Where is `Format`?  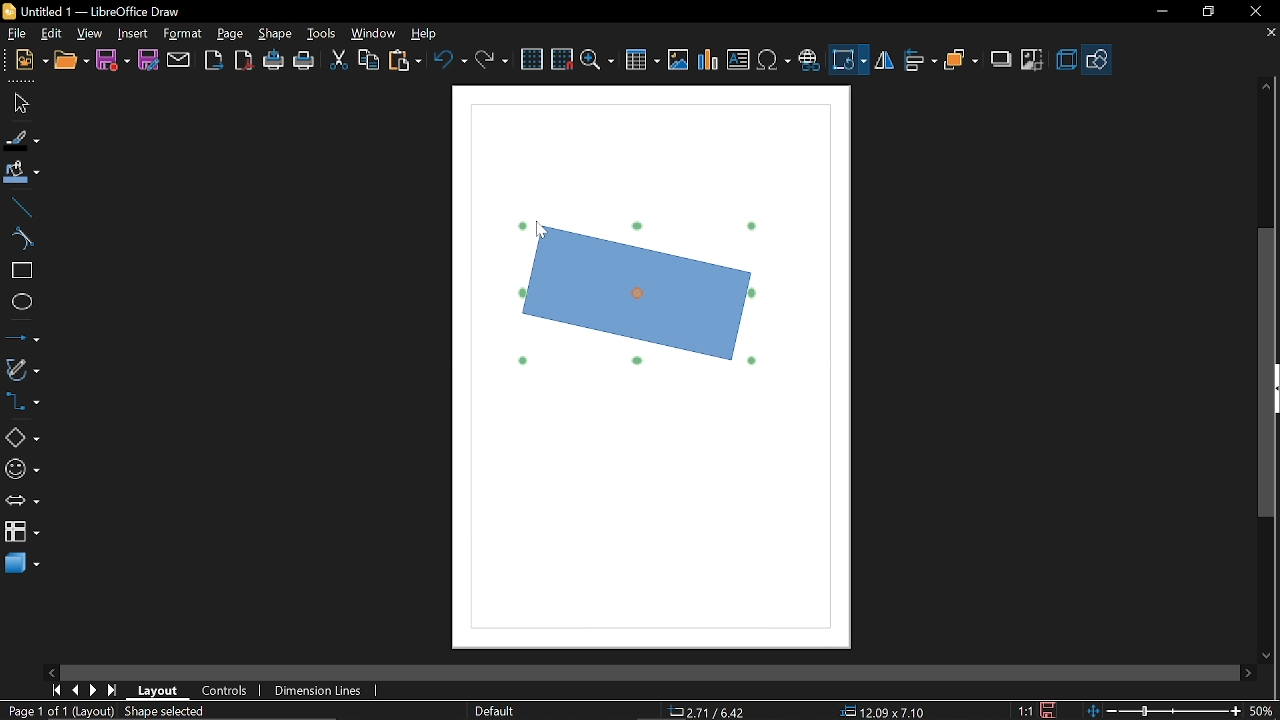 Format is located at coordinates (183, 34).